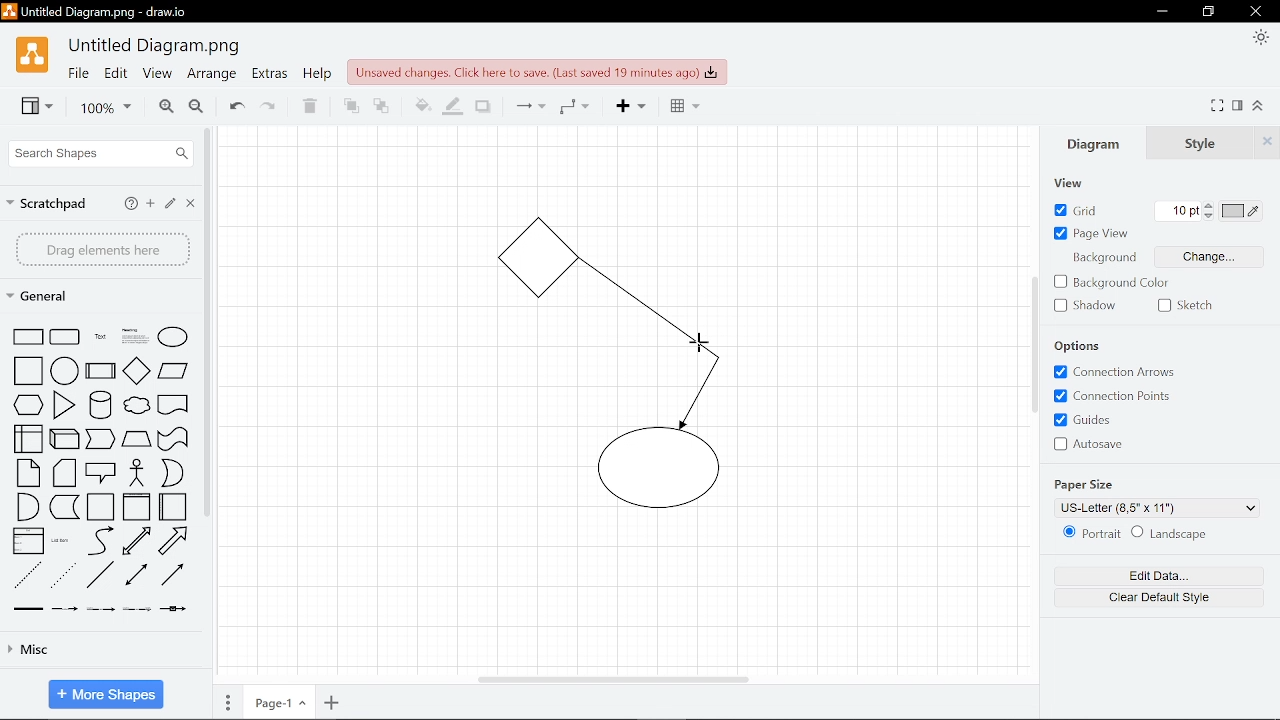  I want to click on shape, so click(66, 474).